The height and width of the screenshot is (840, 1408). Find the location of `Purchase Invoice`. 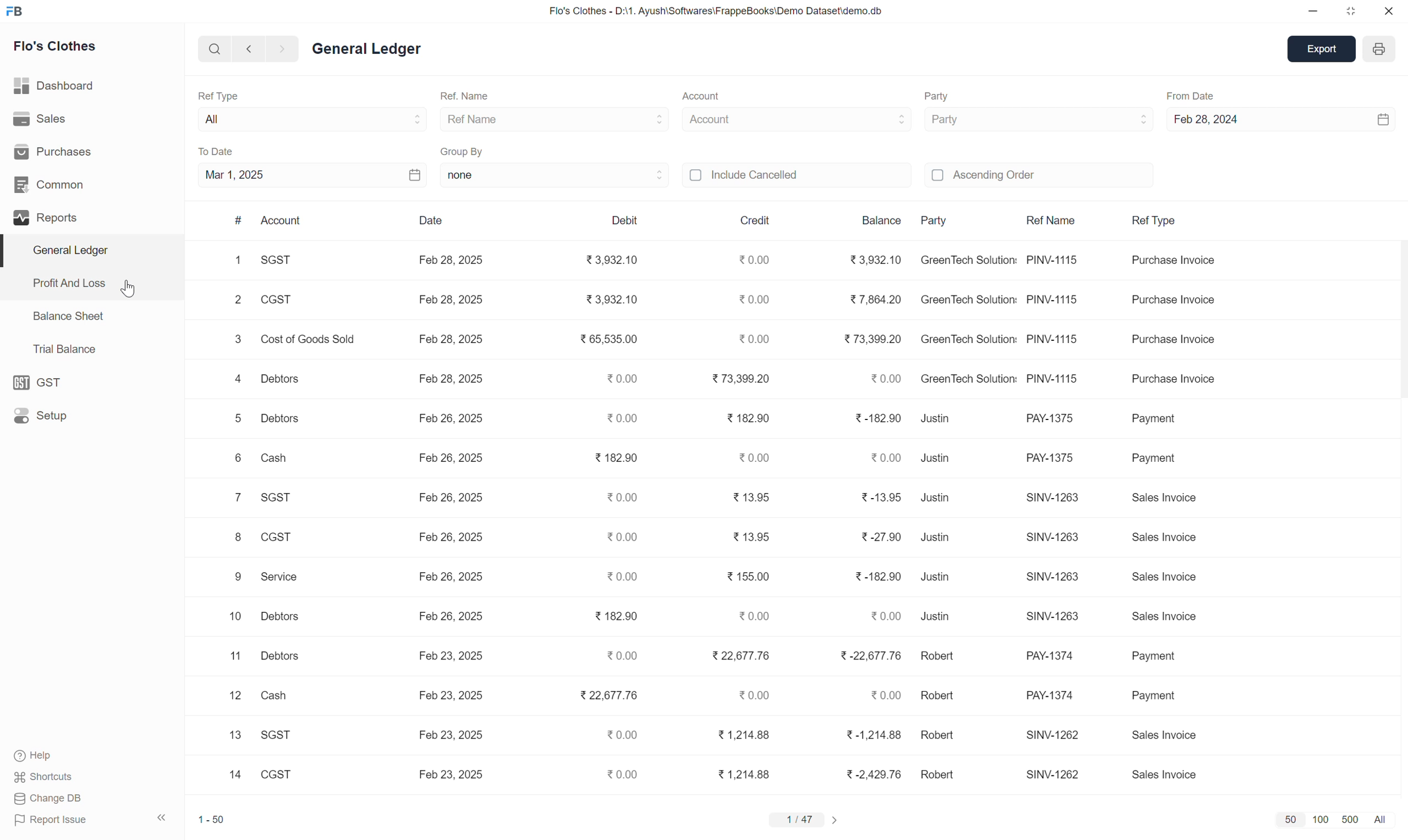

Purchase Invoice is located at coordinates (1174, 301).